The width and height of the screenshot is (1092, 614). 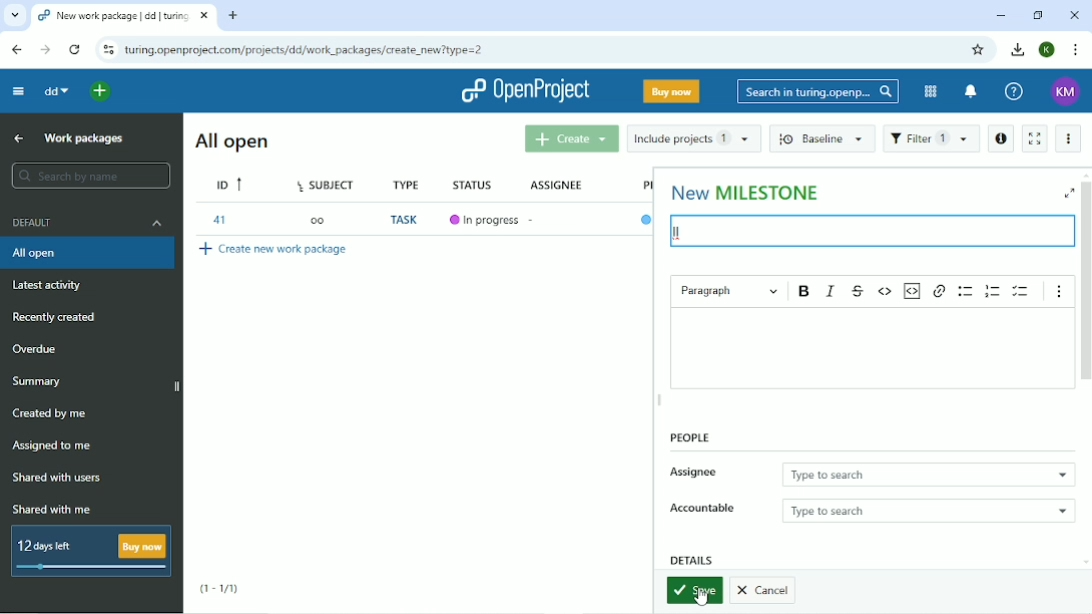 What do you see at coordinates (92, 553) in the screenshot?
I see `12 days left` at bounding box center [92, 553].